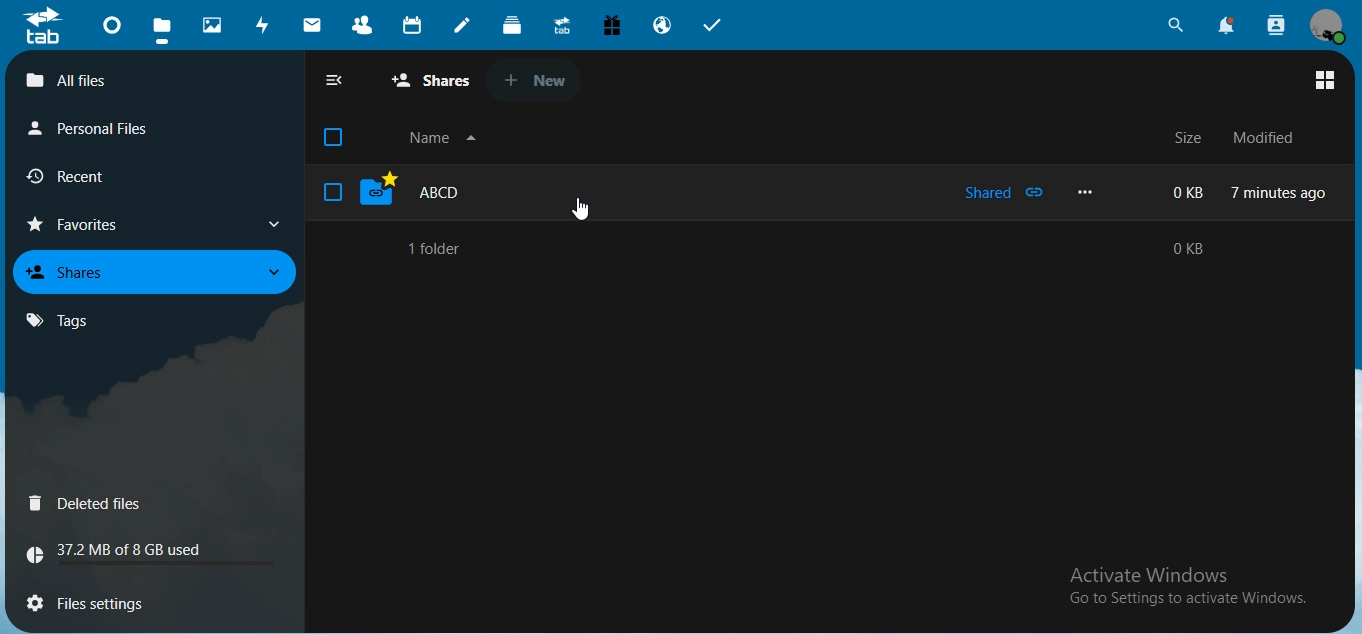  Describe the element at coordinates (664, 27) in the screenshot. I see `email hosting` at that location.